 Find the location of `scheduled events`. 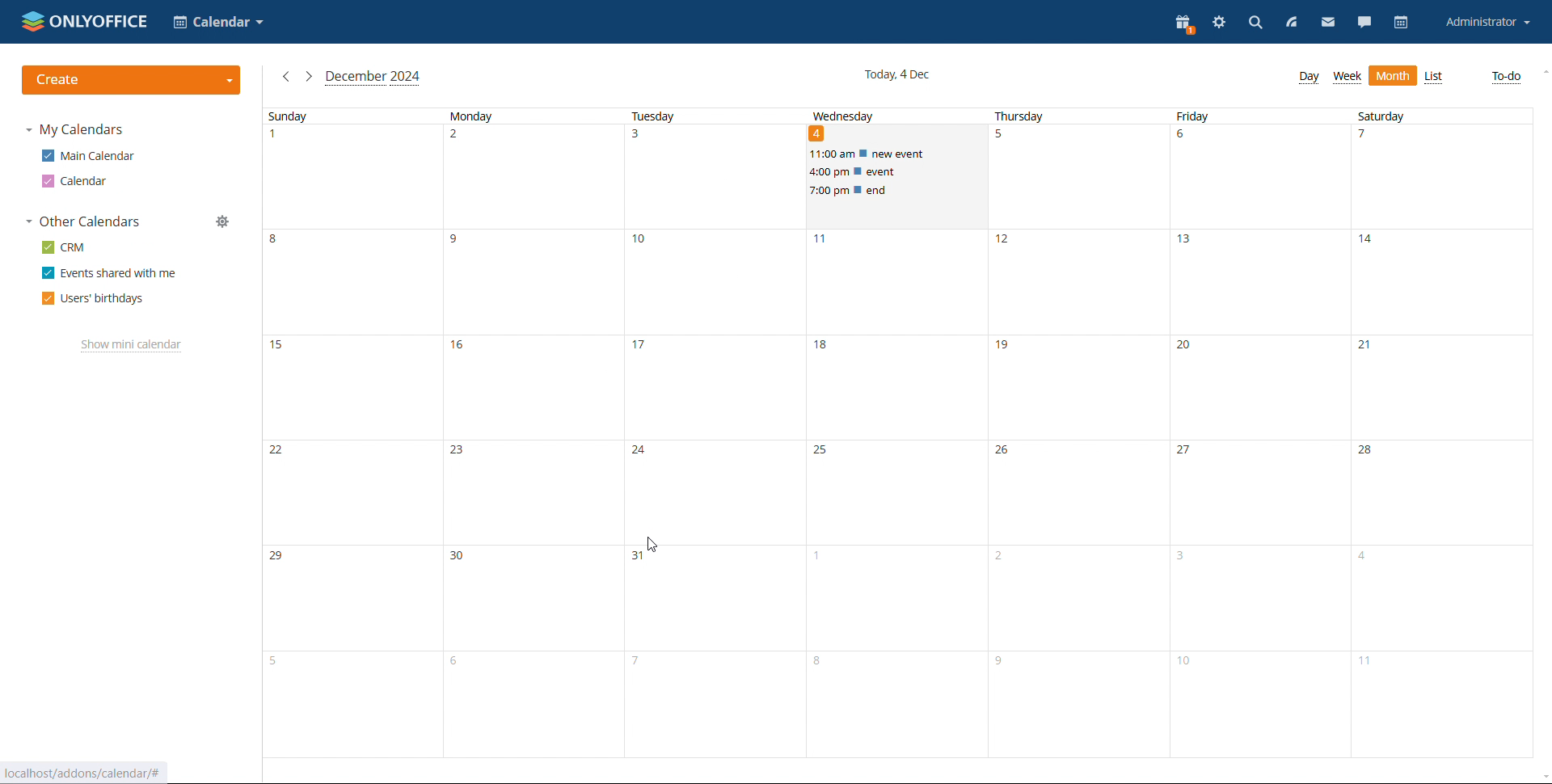

scheduled events is located at coordinates (897, 172).